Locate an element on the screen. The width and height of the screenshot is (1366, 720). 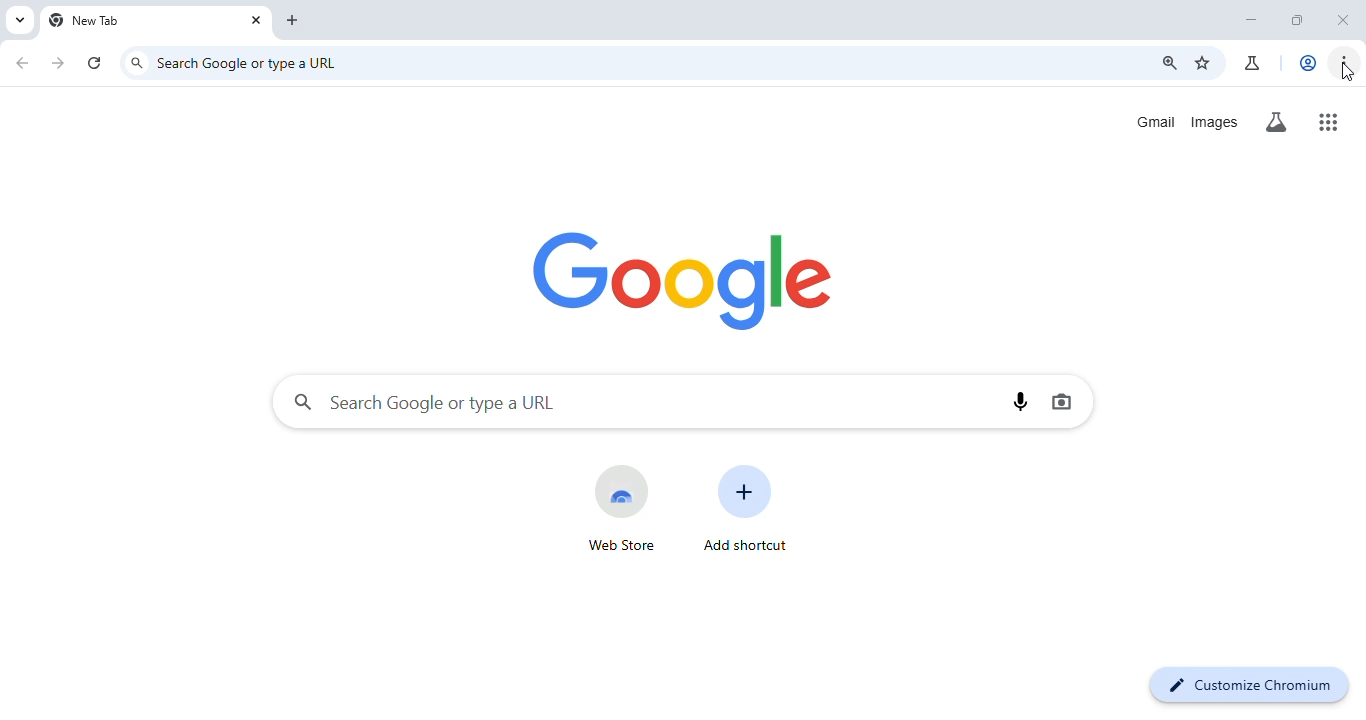
search google or type a URL is located at coordinates (253, 62).